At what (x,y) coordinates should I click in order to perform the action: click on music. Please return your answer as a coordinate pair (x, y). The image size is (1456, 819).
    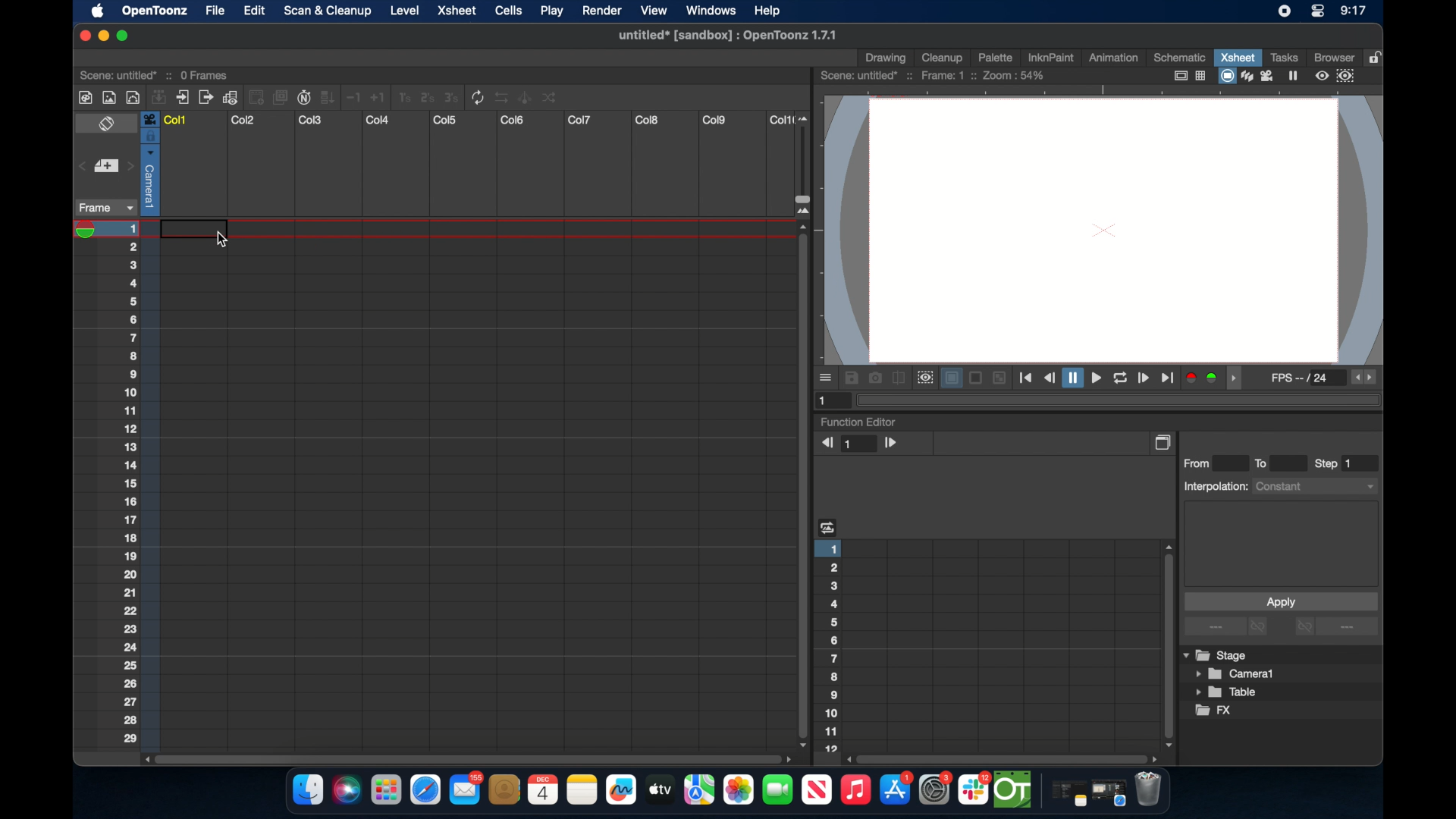
    Looking at the image, I should click on (855, 790).